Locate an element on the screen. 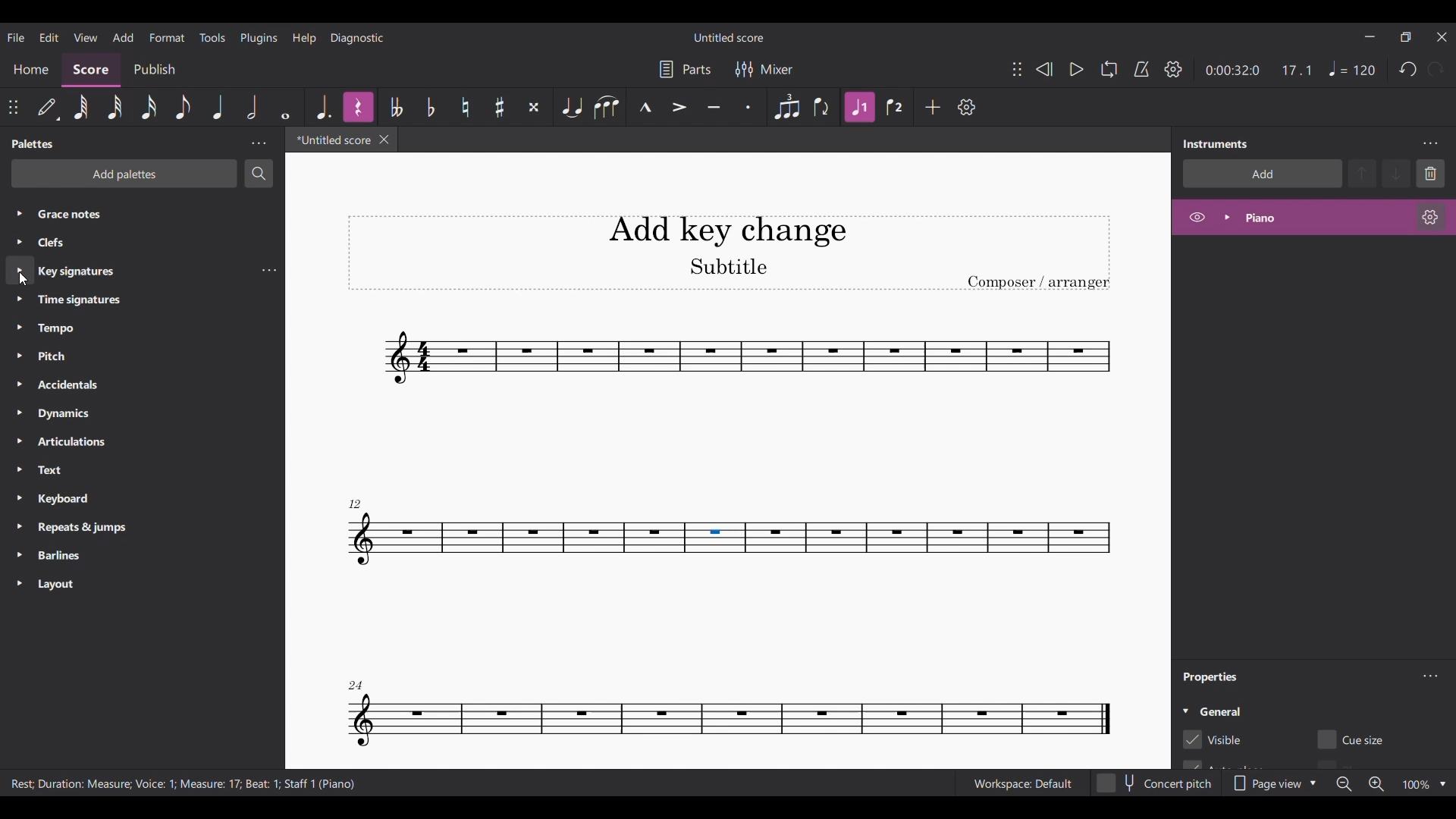 This screenshot has height=819, width=1456. Add instrument is located at coordinates (1263, 174).